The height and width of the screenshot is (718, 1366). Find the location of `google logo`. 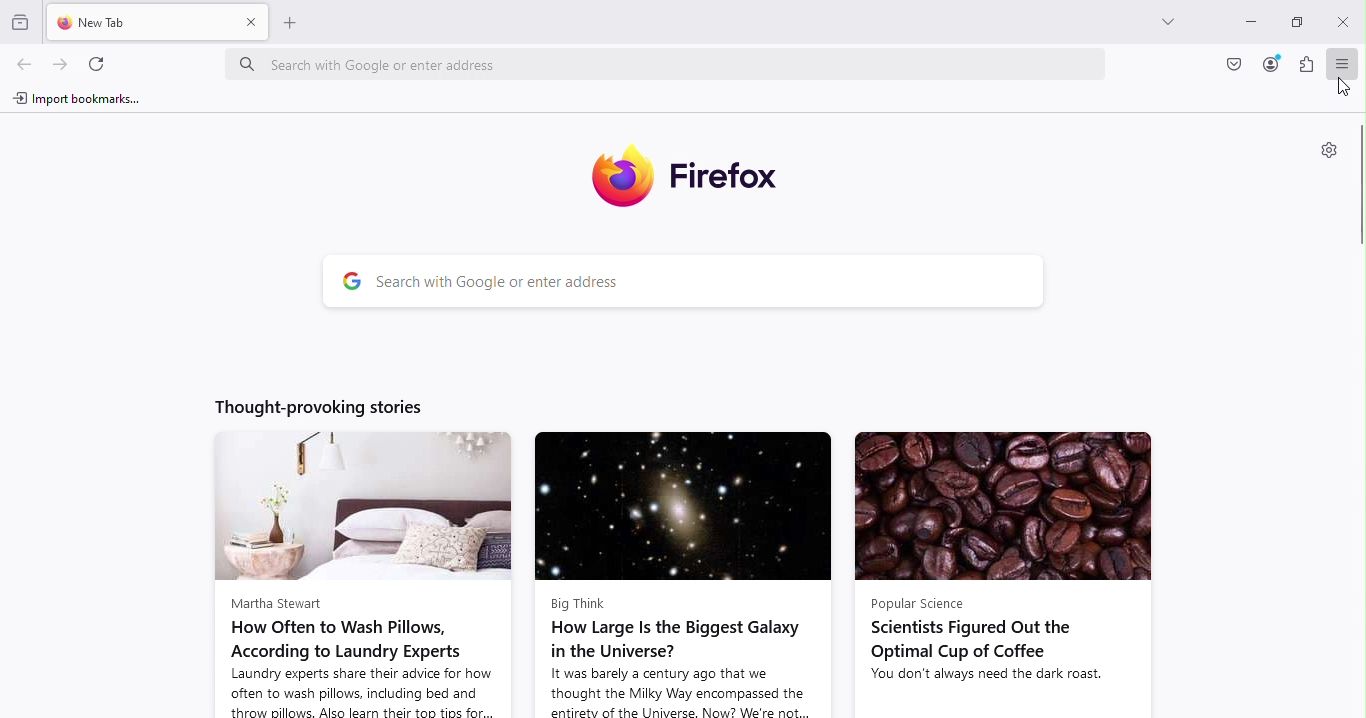

google logo is located at coordinates (345, 284).